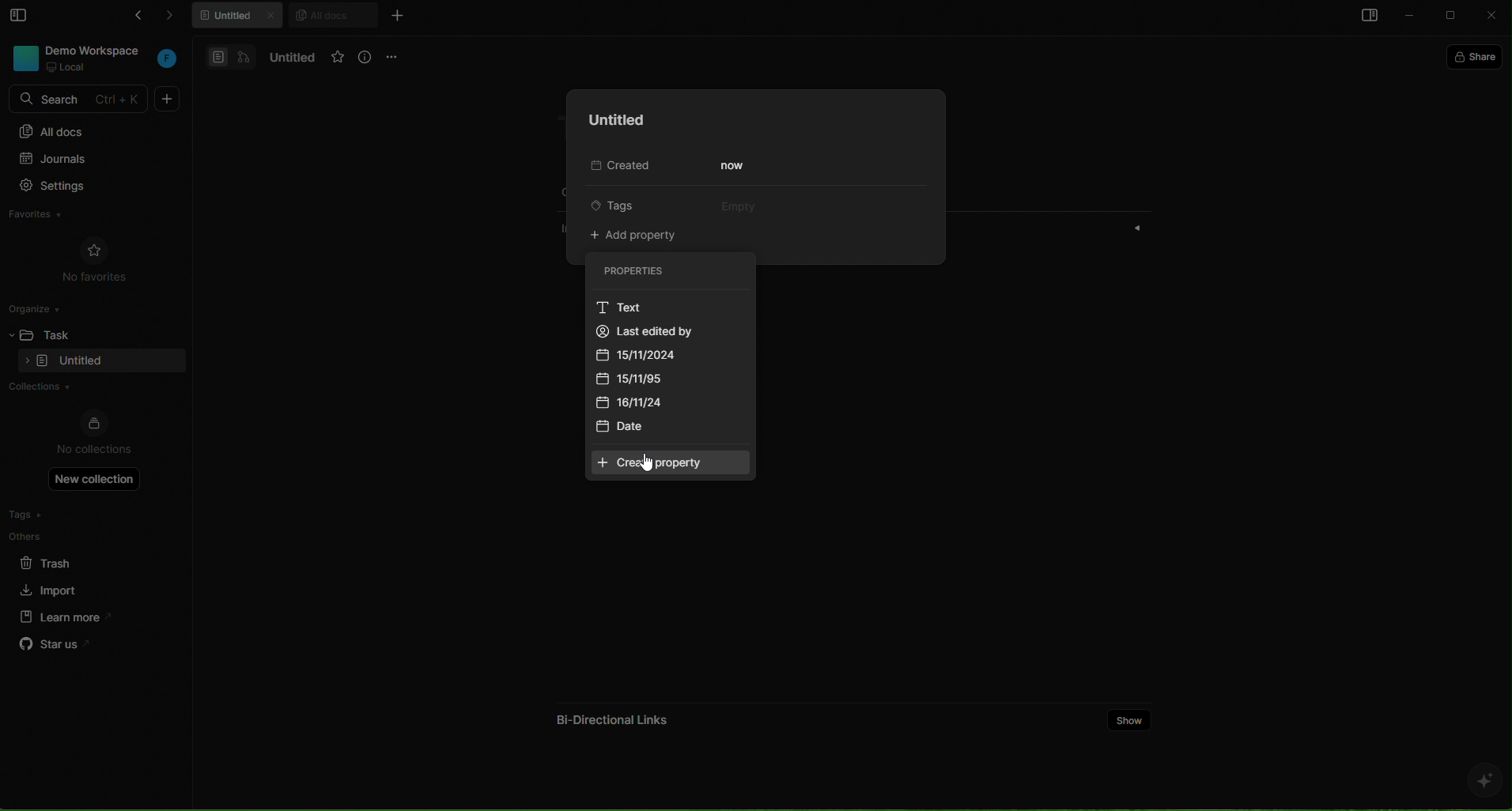  What do you see at coordinates (1130, 719) in the screenshot?
I see `show` at bounding box center [1130, 719].